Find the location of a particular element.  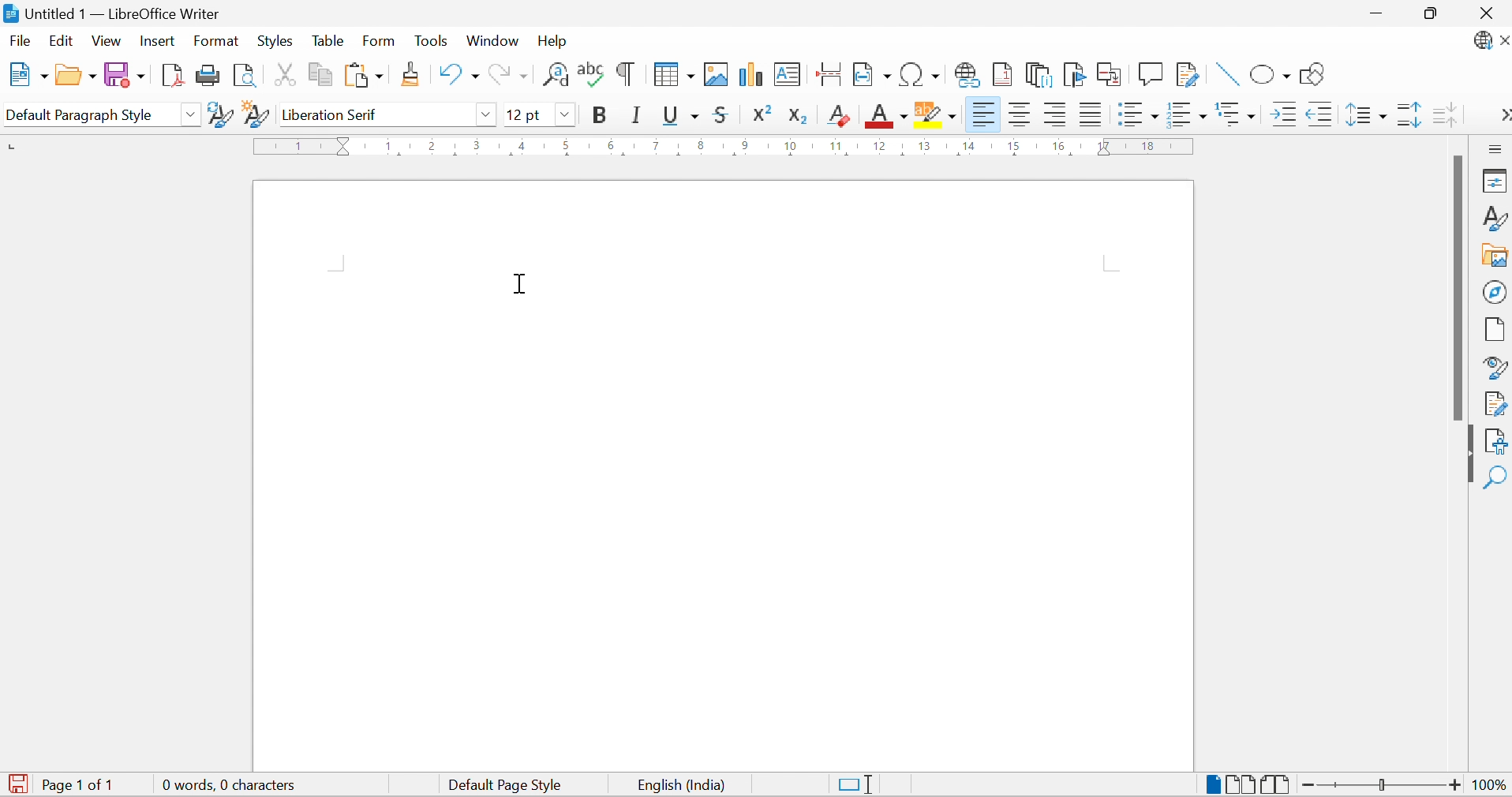

10 is located at coordinates (791, 146).